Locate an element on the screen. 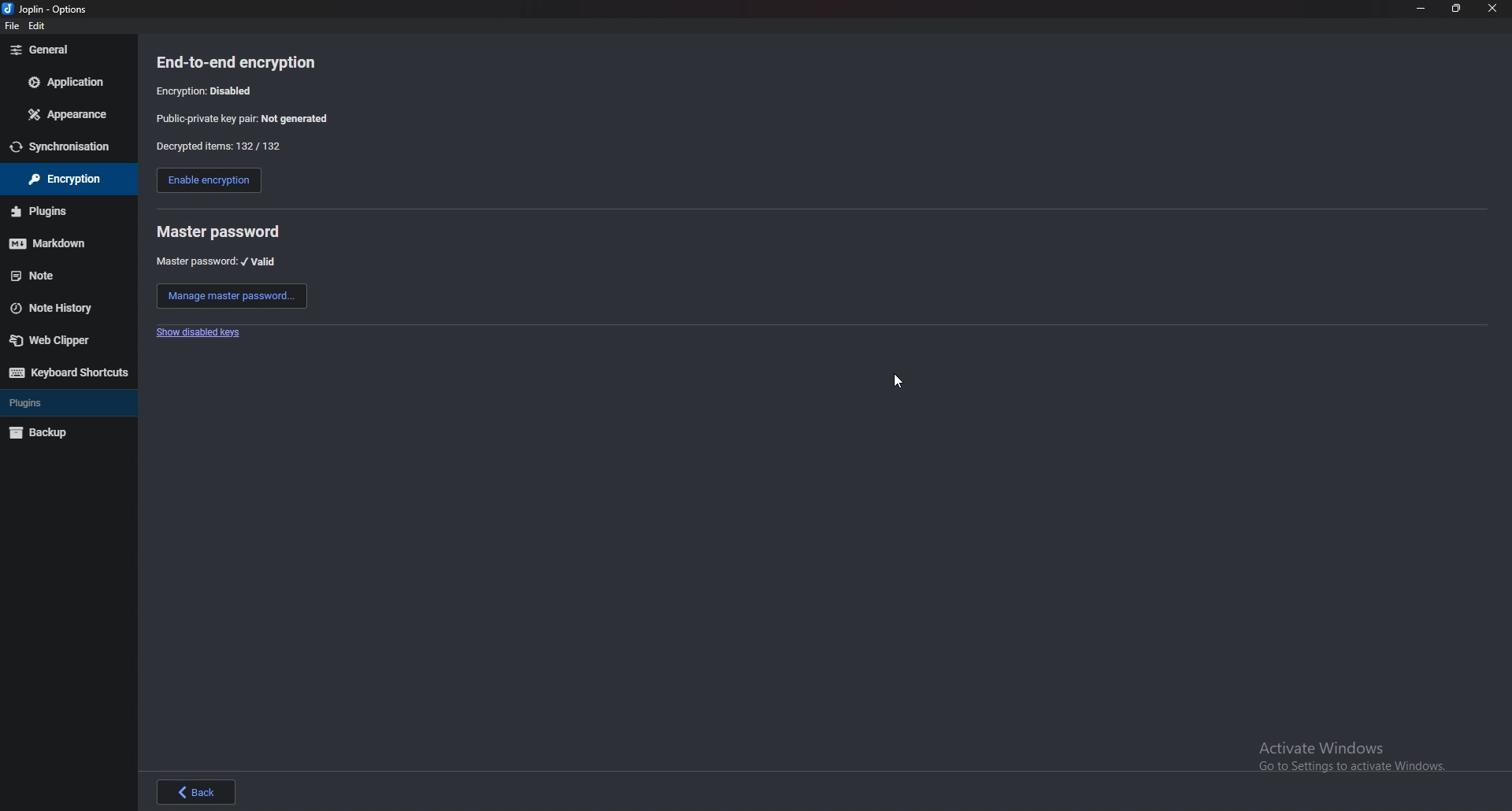 This screenshot has width=1512, height=811. file is located at coordinates (13, 28).